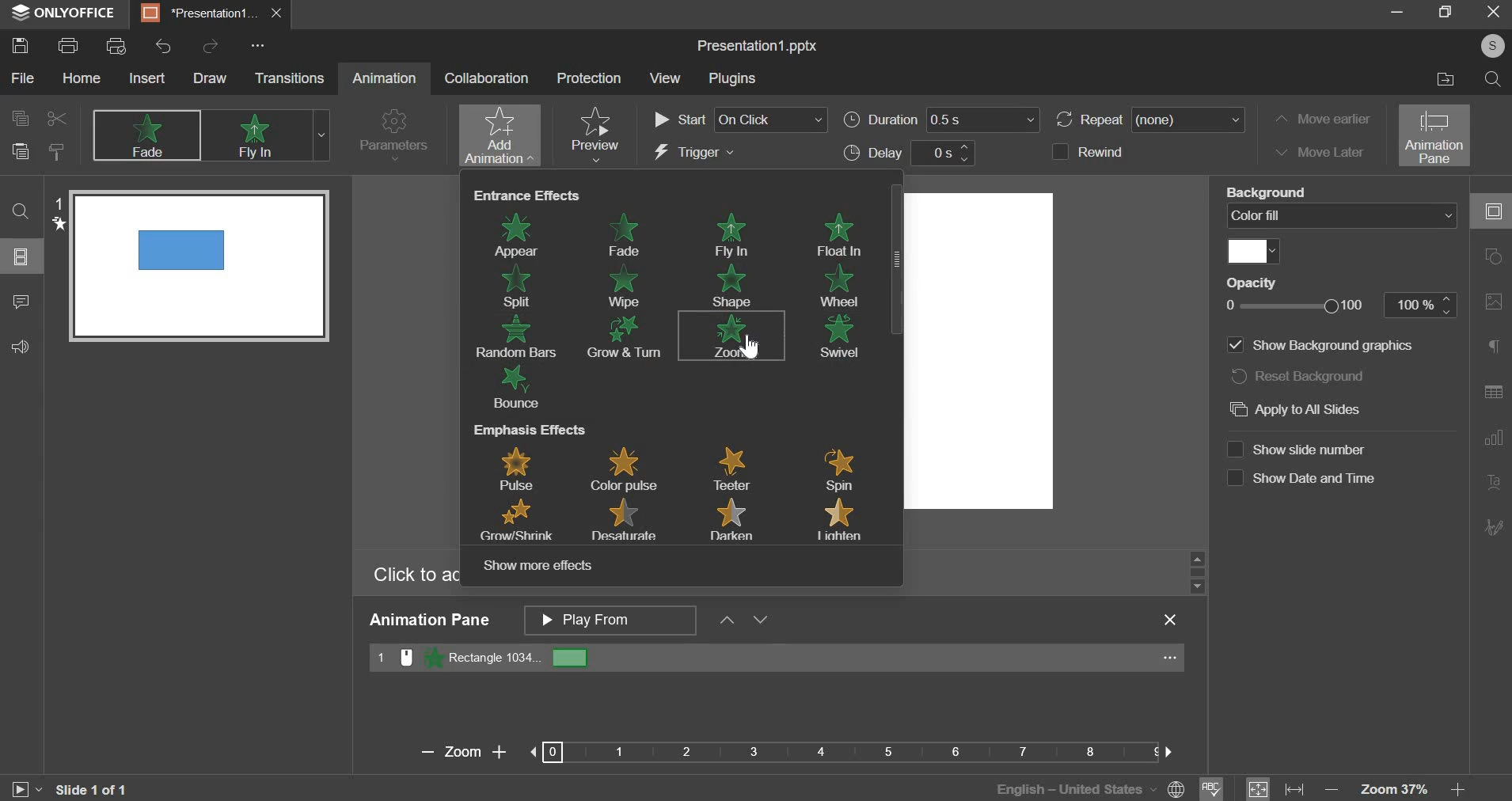  I want to click on Reset background, so click(1317, 379).